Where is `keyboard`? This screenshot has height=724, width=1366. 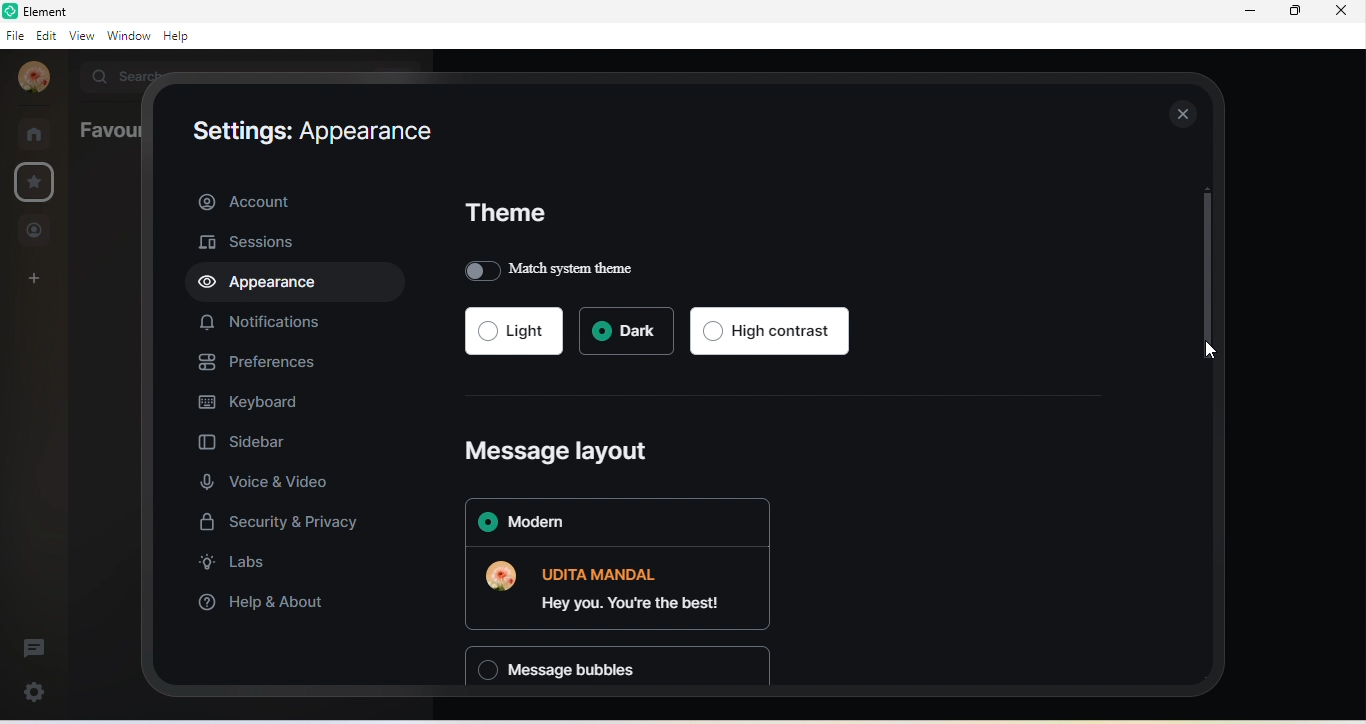
keyboard is located at coordinates (251, 402).